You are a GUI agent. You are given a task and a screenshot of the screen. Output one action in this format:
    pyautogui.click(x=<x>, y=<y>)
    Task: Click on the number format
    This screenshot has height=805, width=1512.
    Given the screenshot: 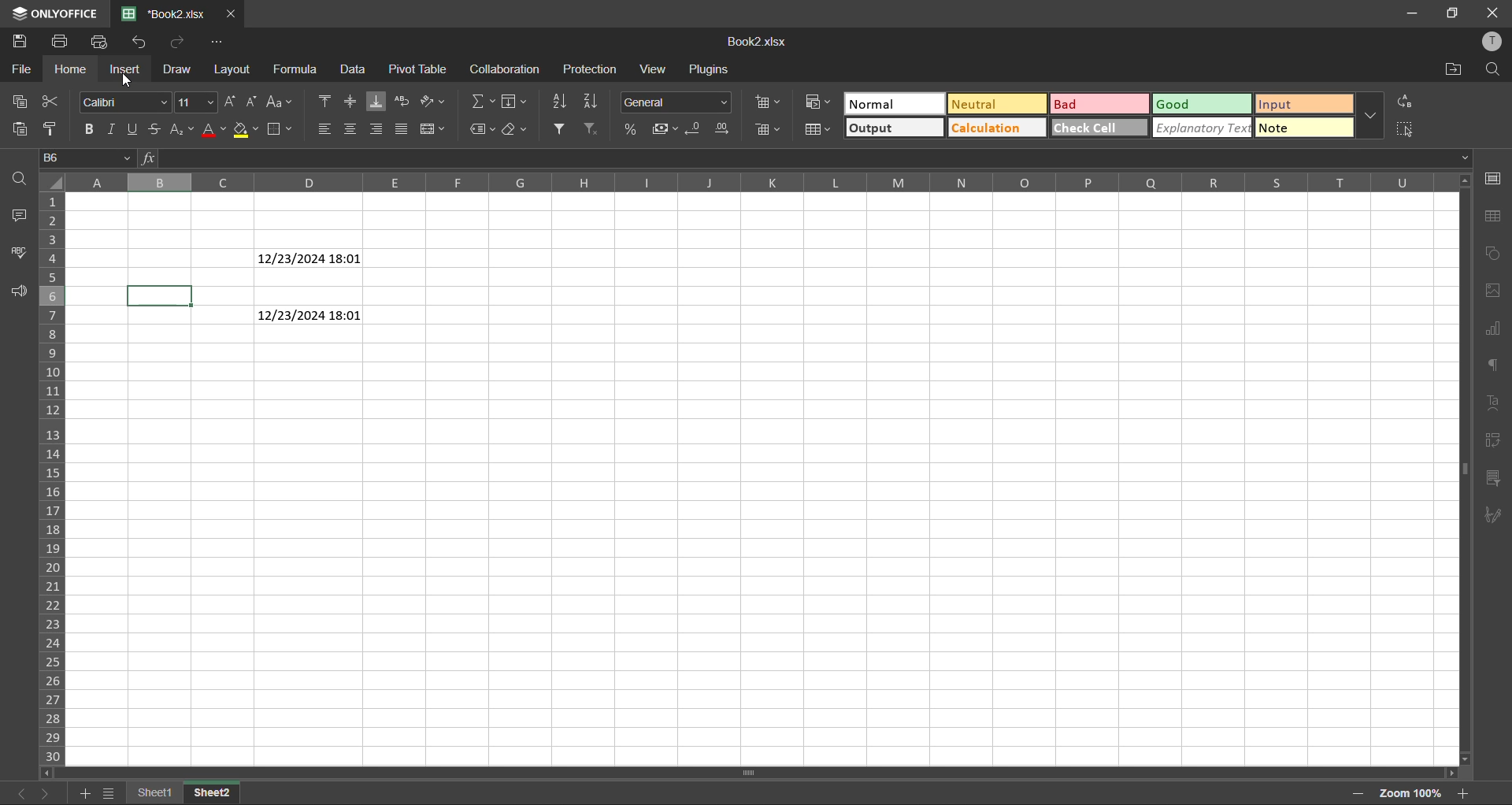 What is the action you would take?
    pyautogui.click(x=674, y=102)
    